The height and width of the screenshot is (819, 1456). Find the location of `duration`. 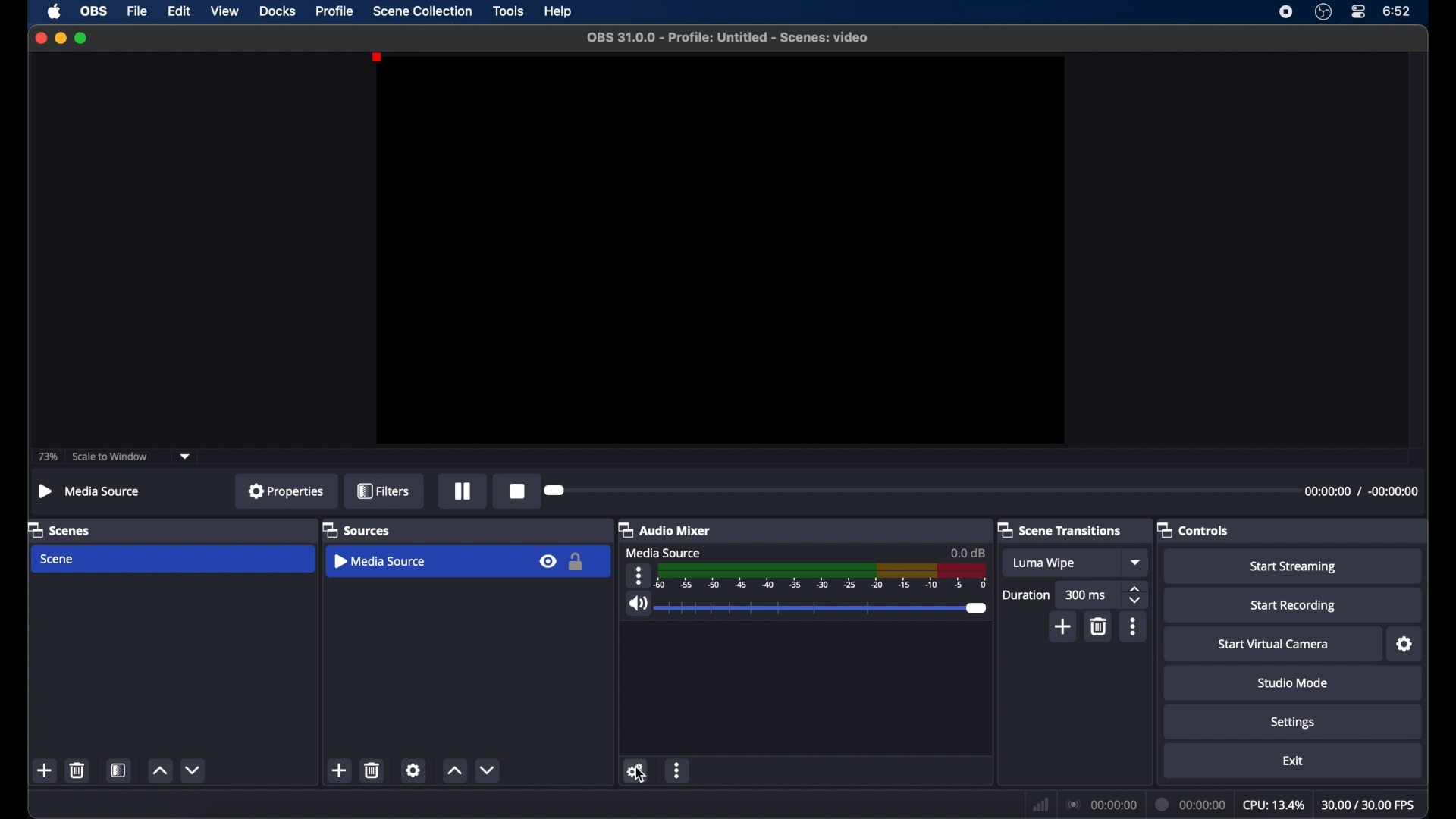

duration is located at coordinates (1191, 805).